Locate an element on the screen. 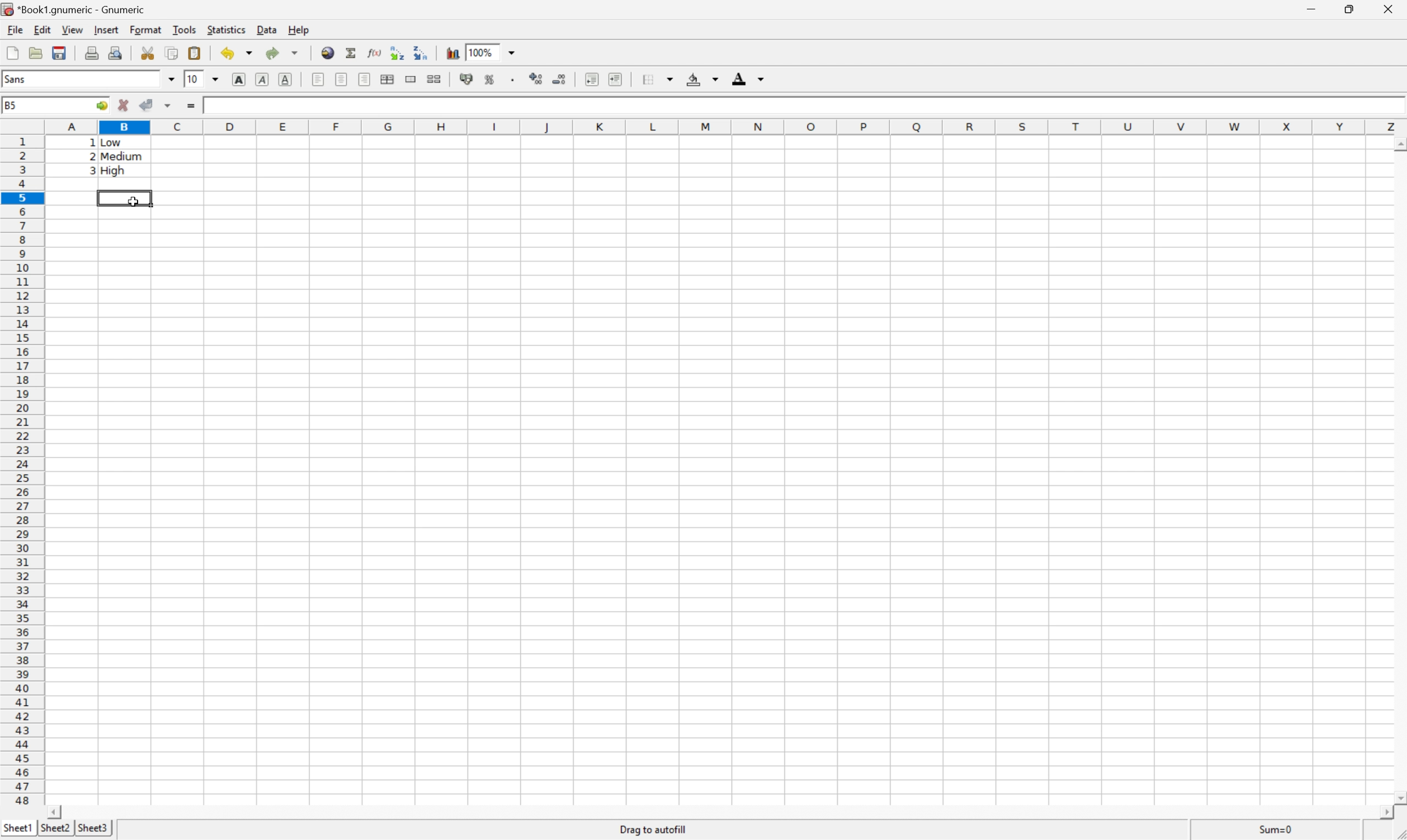  Sheet3 is located at coordinates (95, 831).